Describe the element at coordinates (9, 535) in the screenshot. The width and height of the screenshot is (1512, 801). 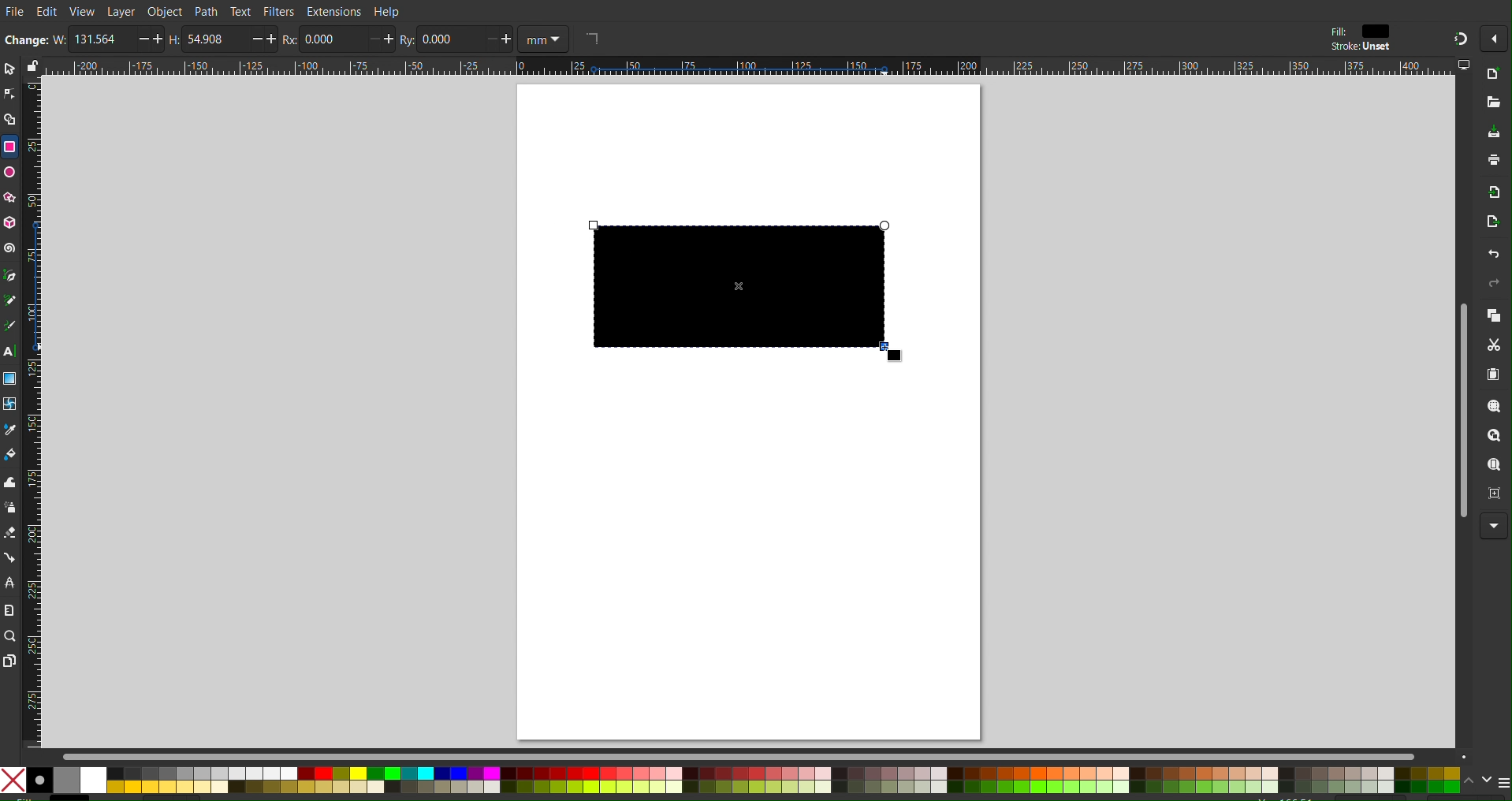
I see `Erase Tool` at that location.